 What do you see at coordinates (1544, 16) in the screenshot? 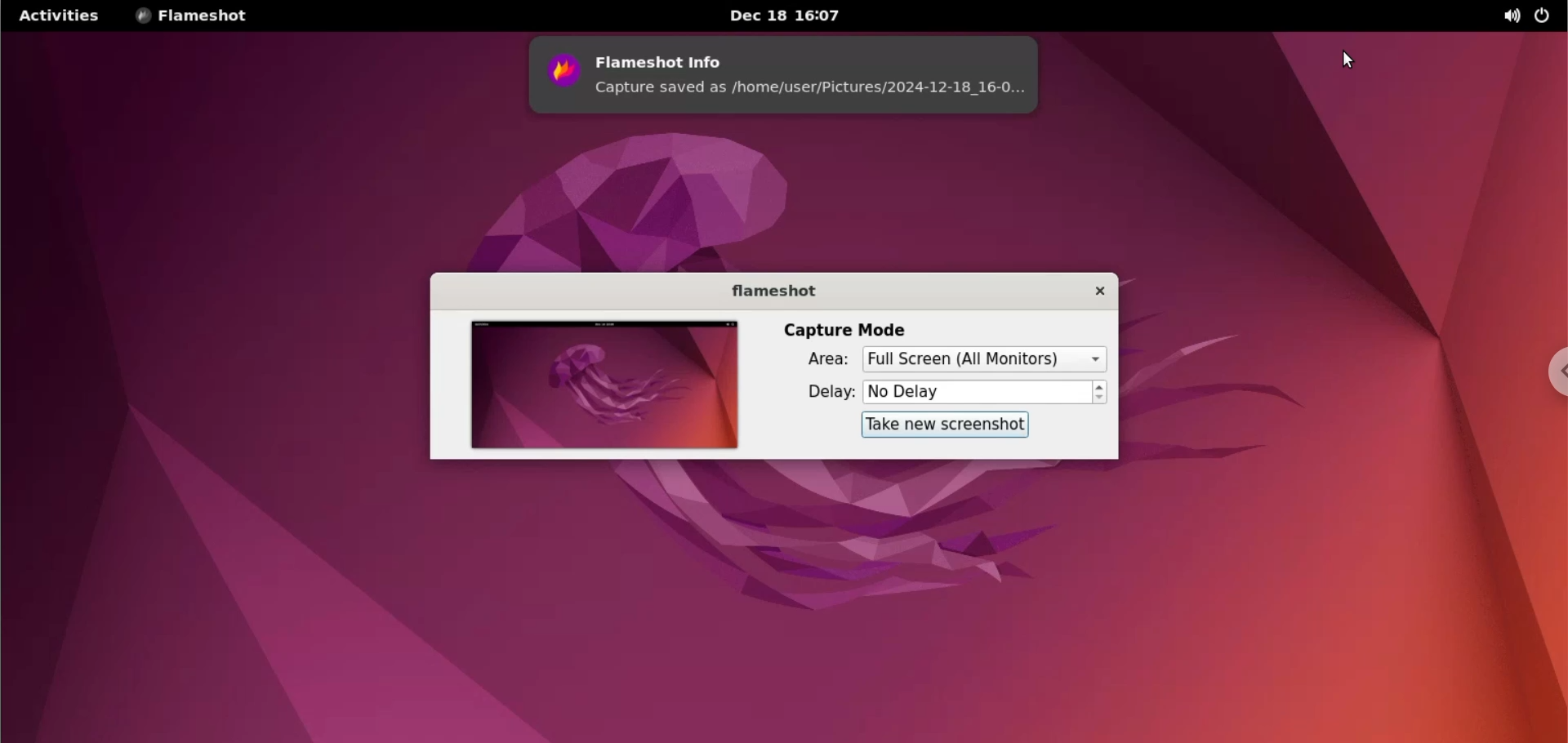
I see `on/off controls` at bounding box center [1544, 16].